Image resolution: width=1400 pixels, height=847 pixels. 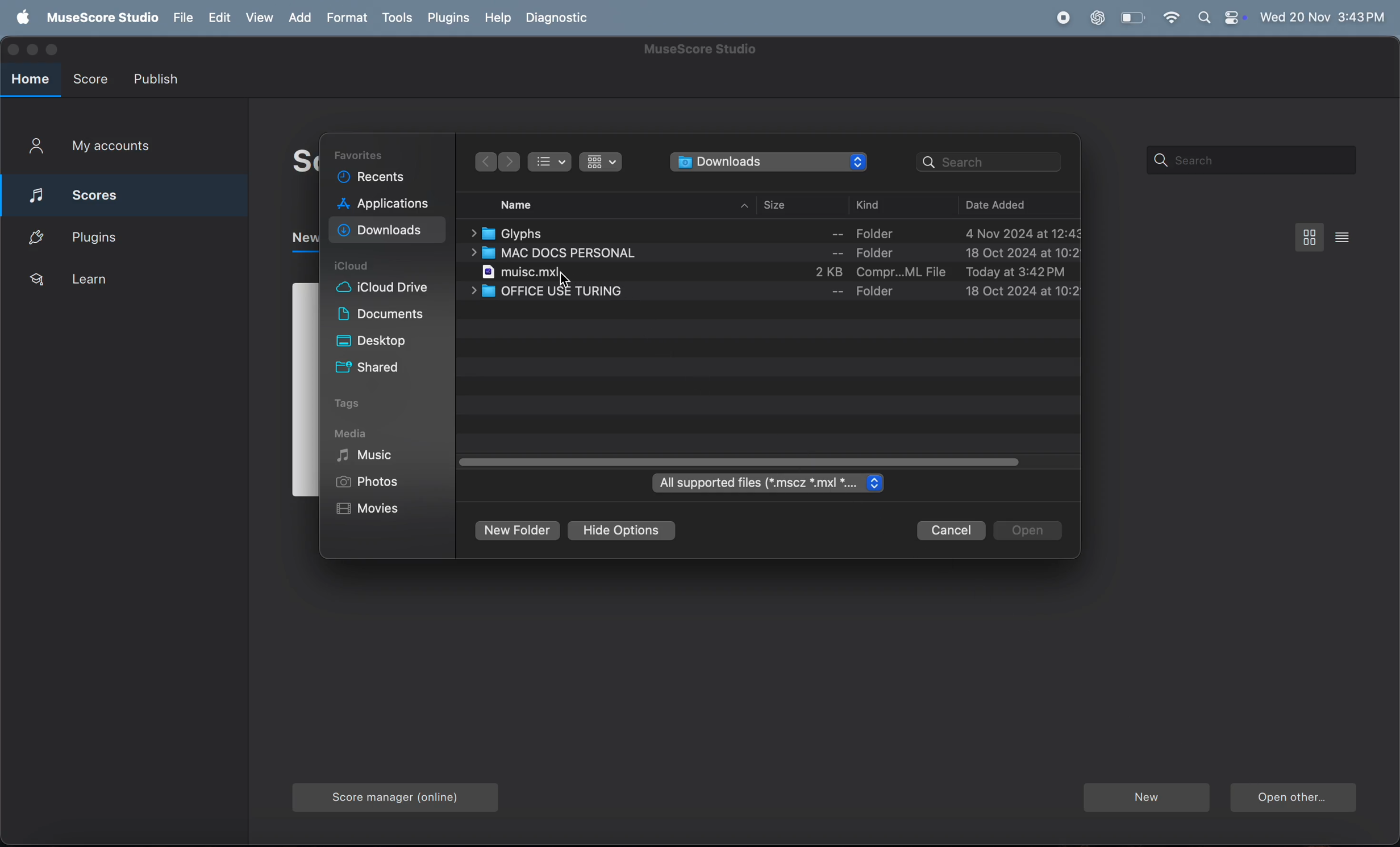 I want to click on wifi, so click(x=1171, y=18).